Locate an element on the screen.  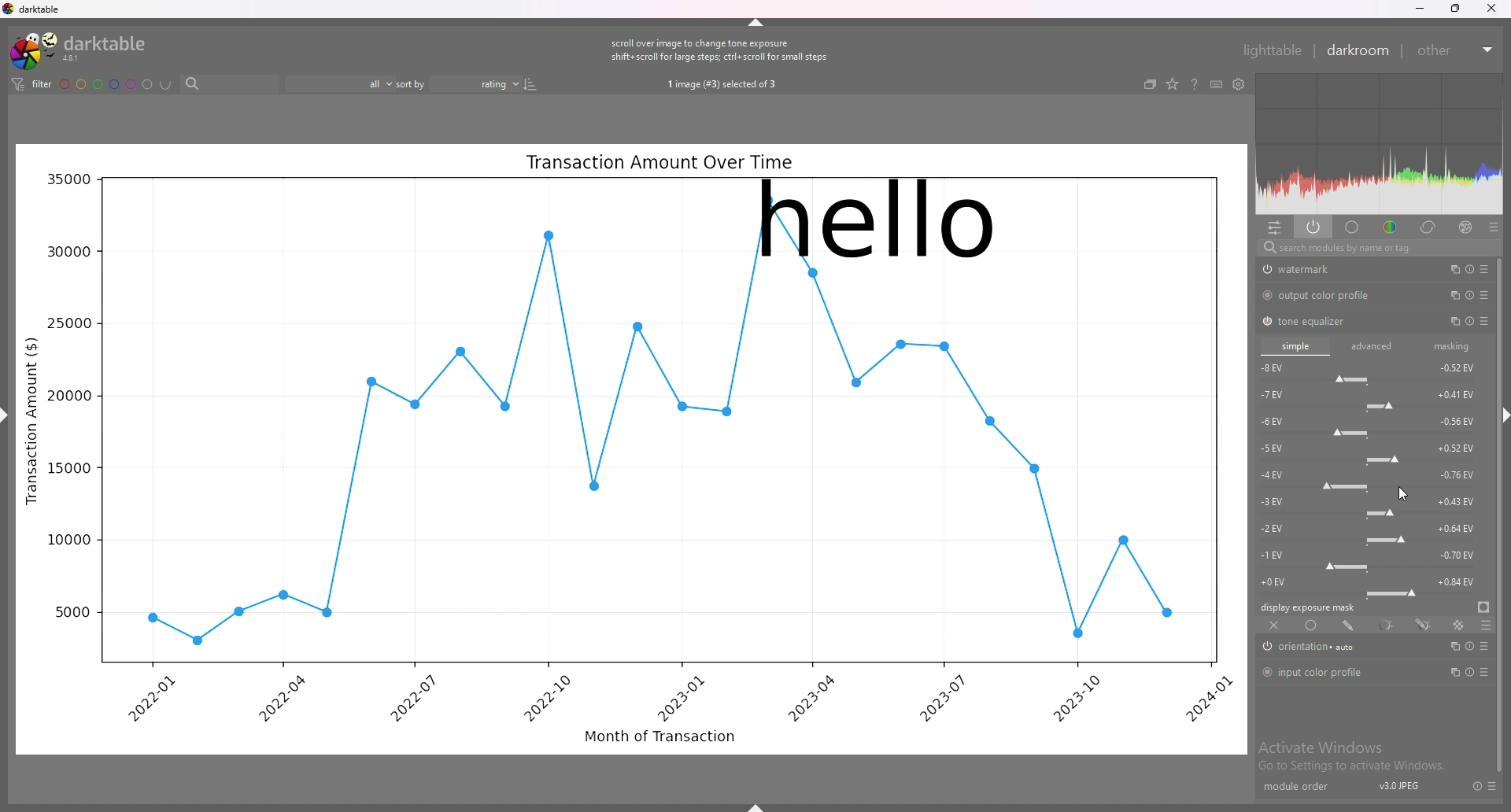
close is located at coordinates (1490, 8).